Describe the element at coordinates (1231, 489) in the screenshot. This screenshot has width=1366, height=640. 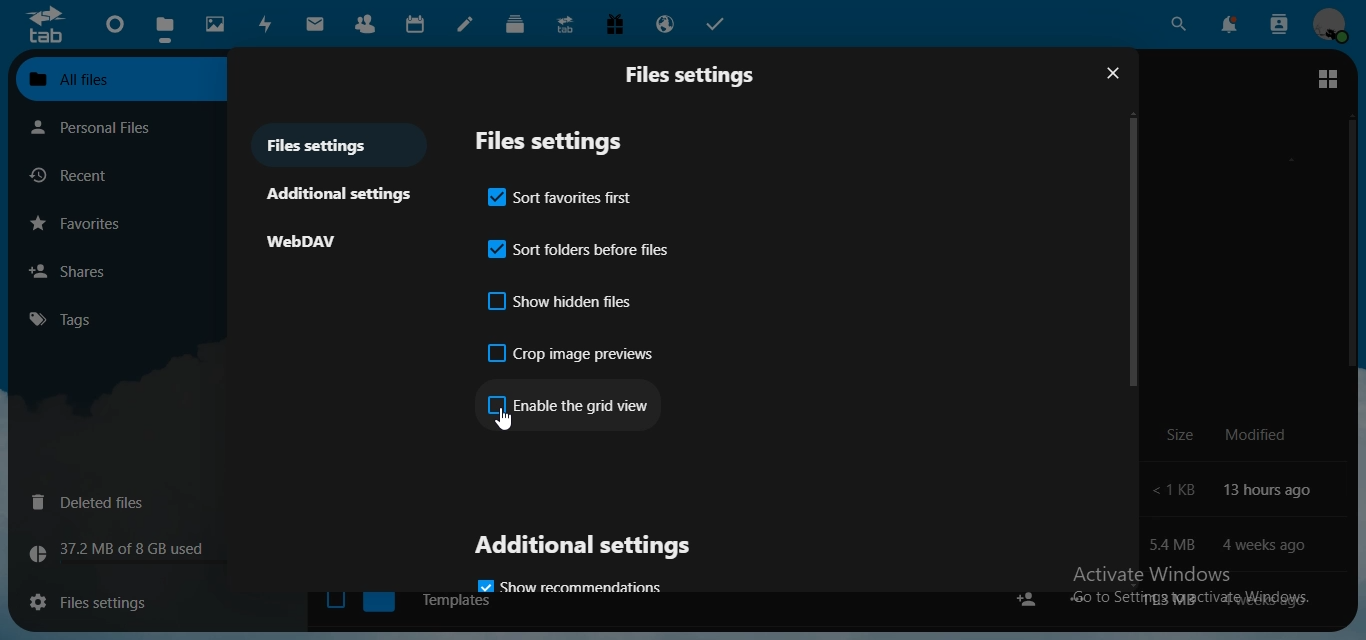
I see `text` at that location.